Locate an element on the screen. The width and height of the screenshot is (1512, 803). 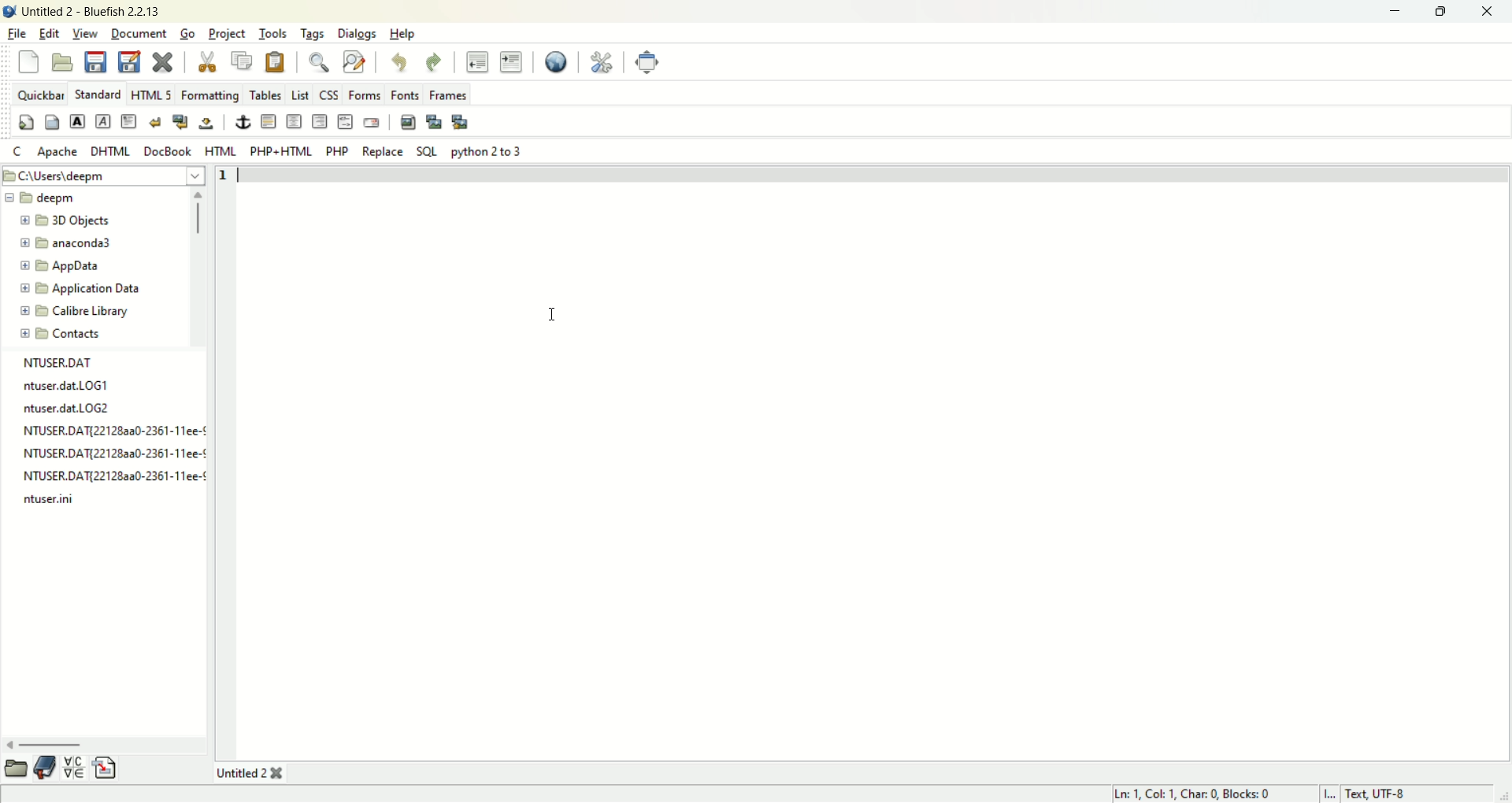
right justify is located at coordinates (319, 122).